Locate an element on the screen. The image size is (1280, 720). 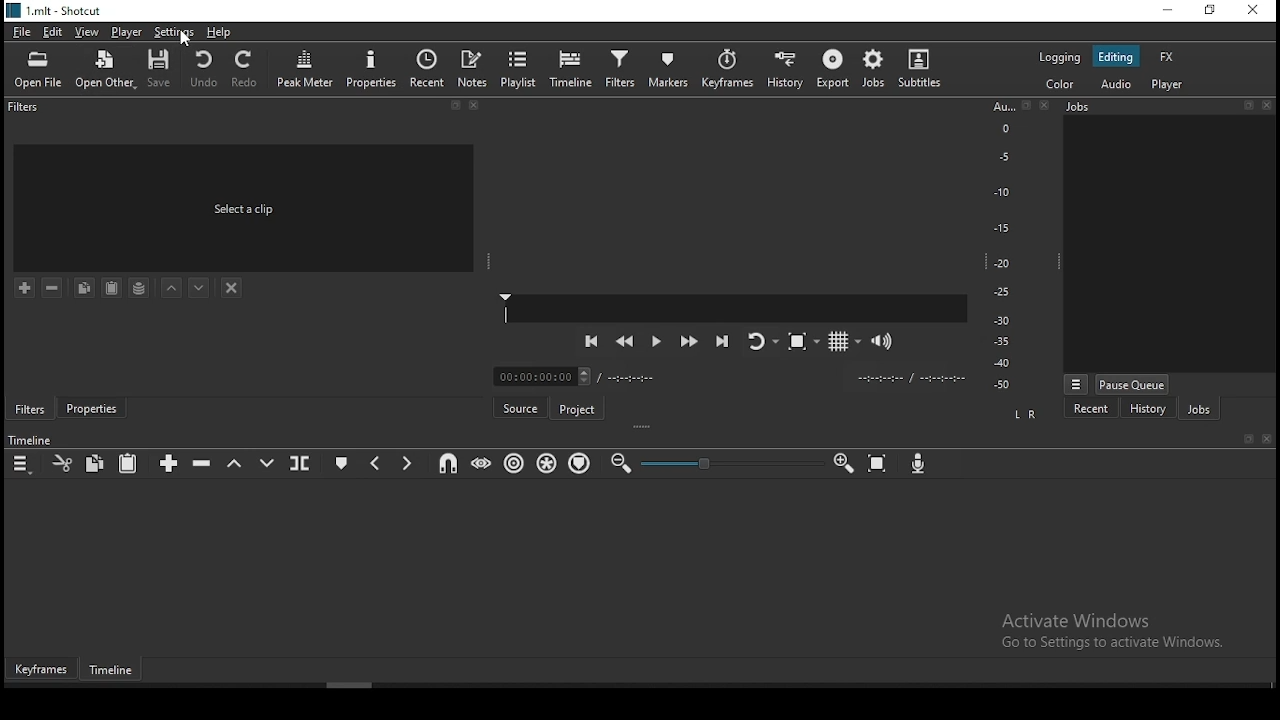
remove selected filter is located at coordinates (51, 287).